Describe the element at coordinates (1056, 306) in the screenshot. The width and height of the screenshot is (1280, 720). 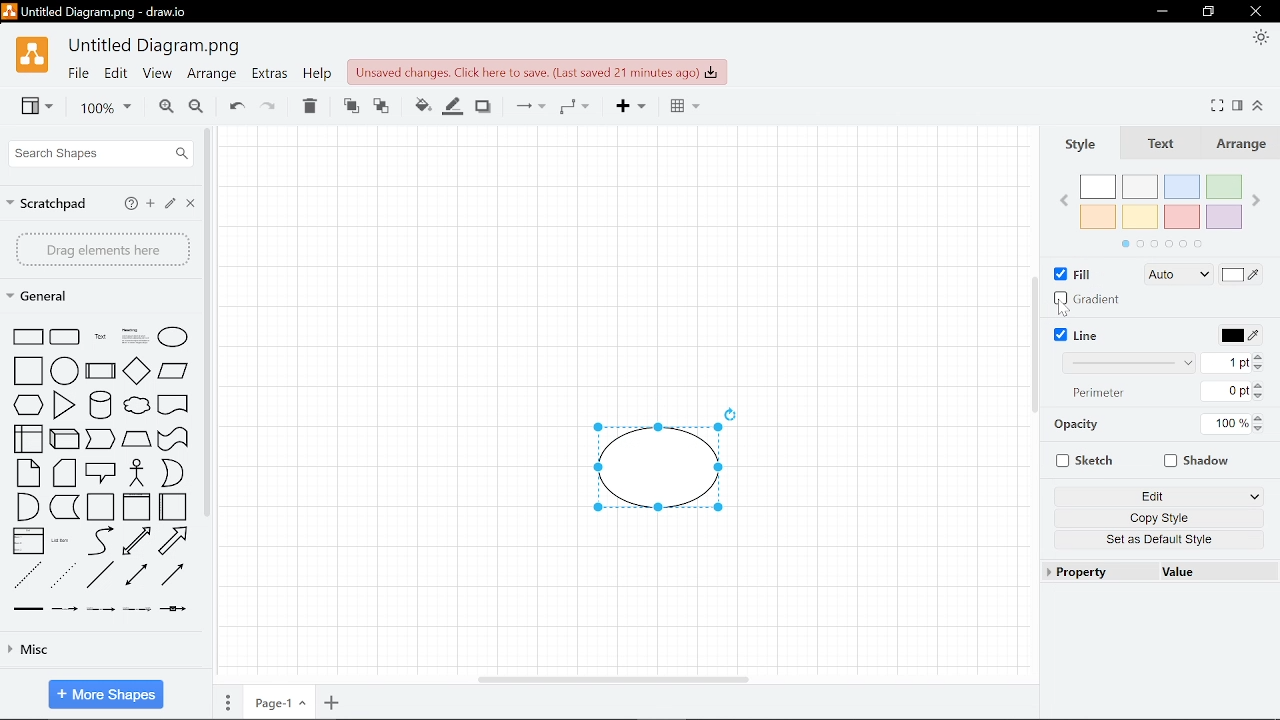
I see `Cursor` at that location.